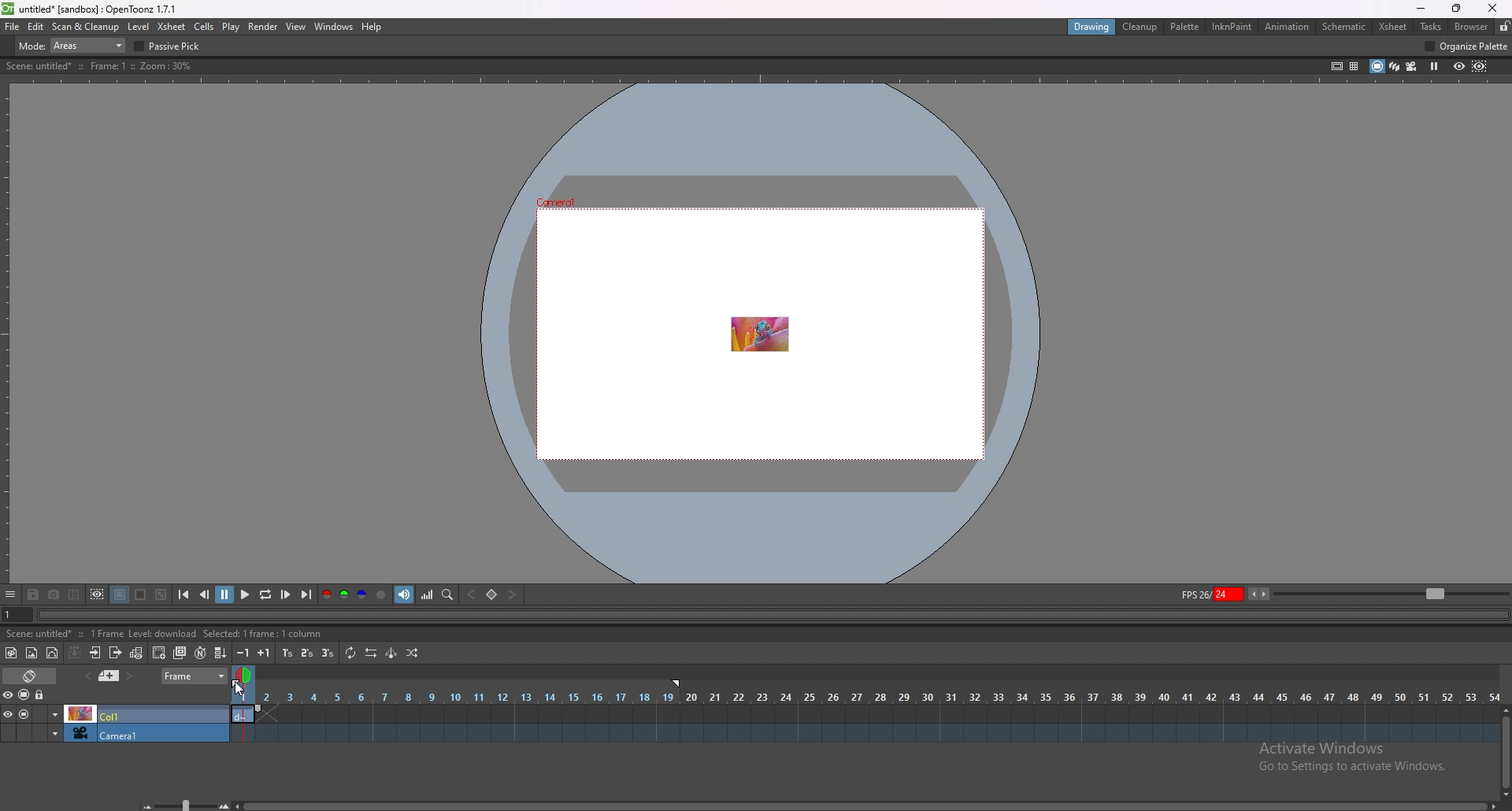 The image size is (1512, 811). What do you see at coordinates (12, 695) in the screenshot?
I see `visibility toggle` at bounding box center [12, 695].